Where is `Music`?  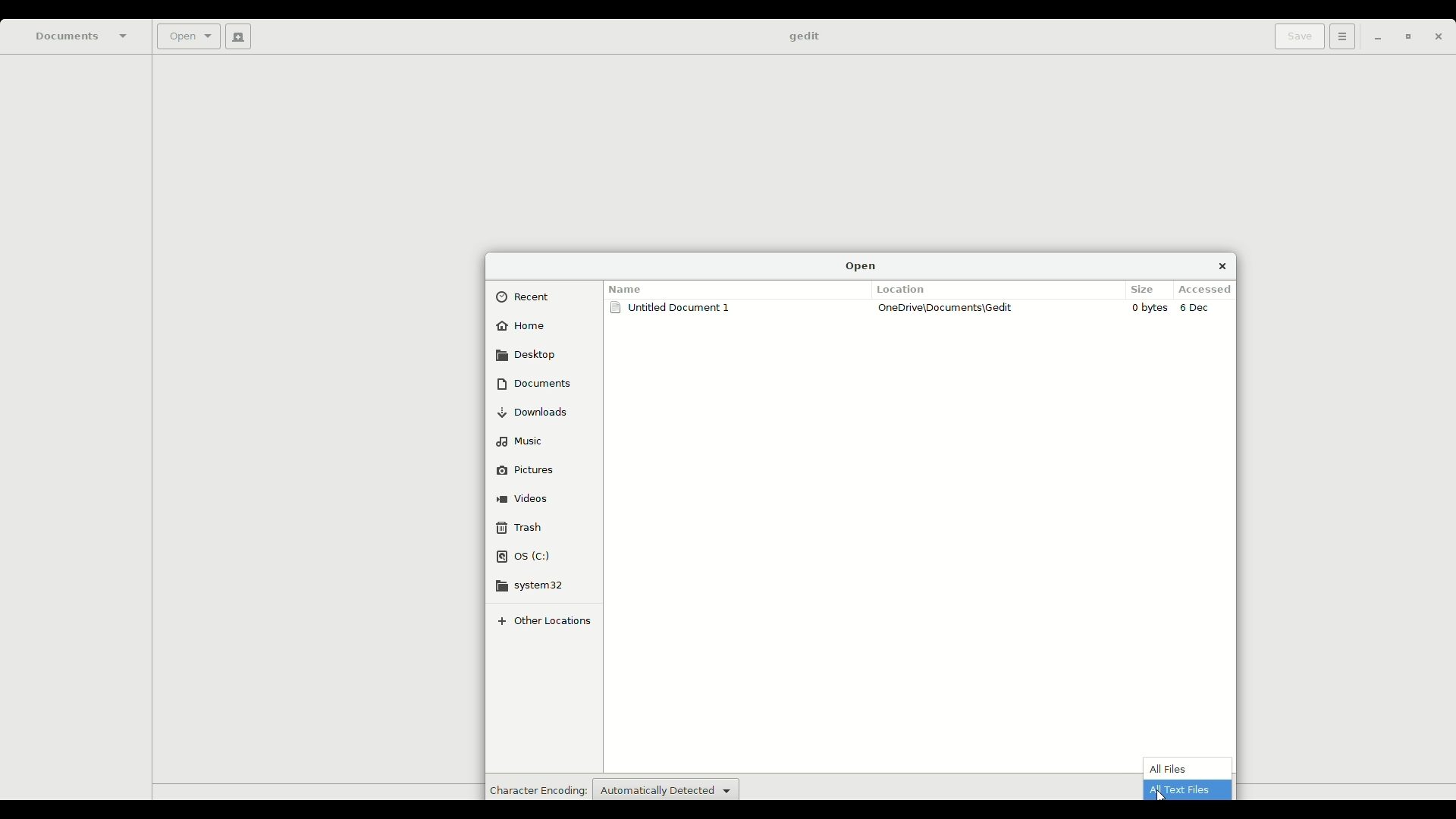
Music is located at coordinates (523, 439).